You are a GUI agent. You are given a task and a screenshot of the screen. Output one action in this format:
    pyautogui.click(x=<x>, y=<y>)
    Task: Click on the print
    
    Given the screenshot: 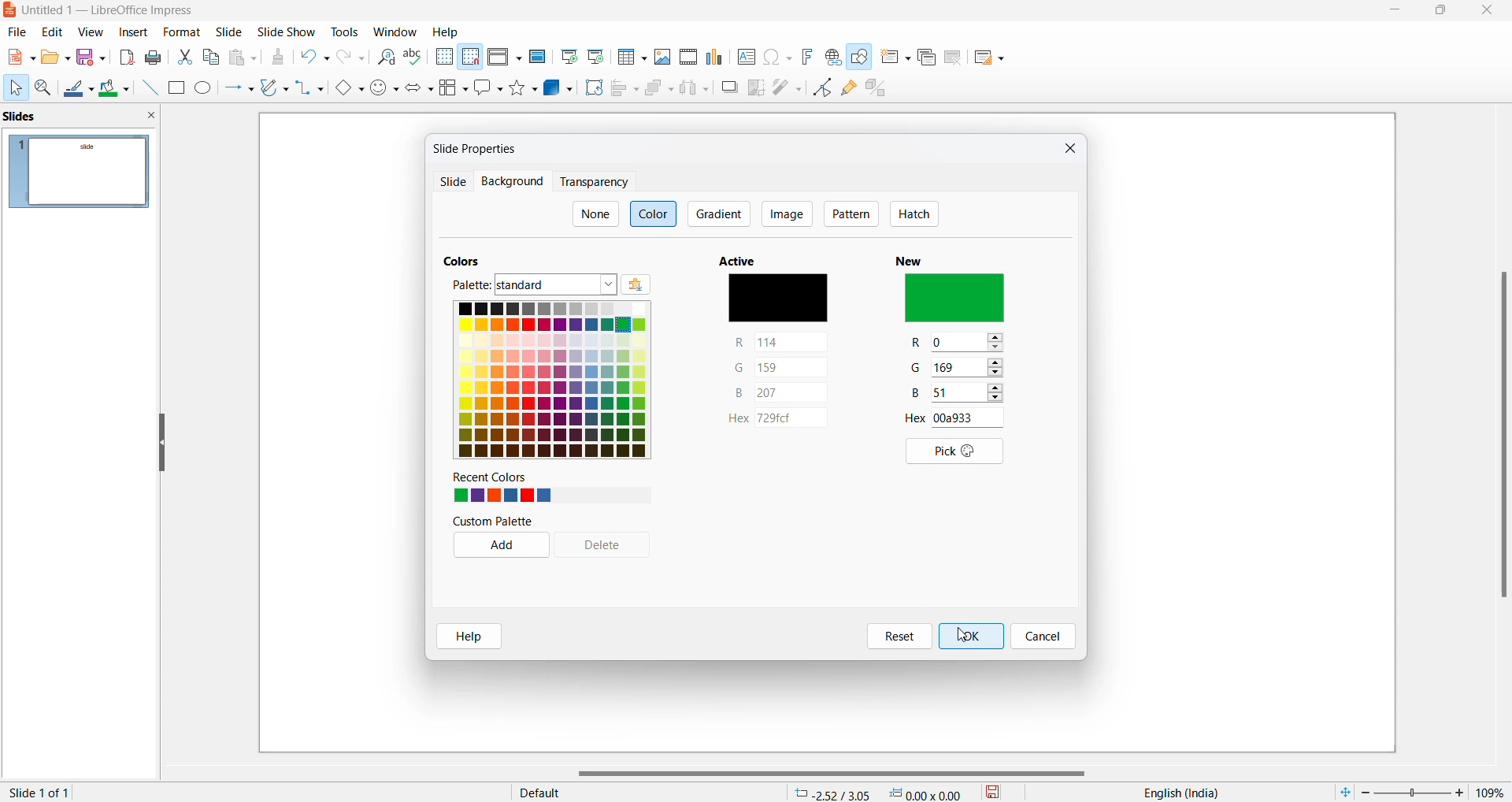 What is the action you would take?
    pyautogui.click(x=157, y=57)
    